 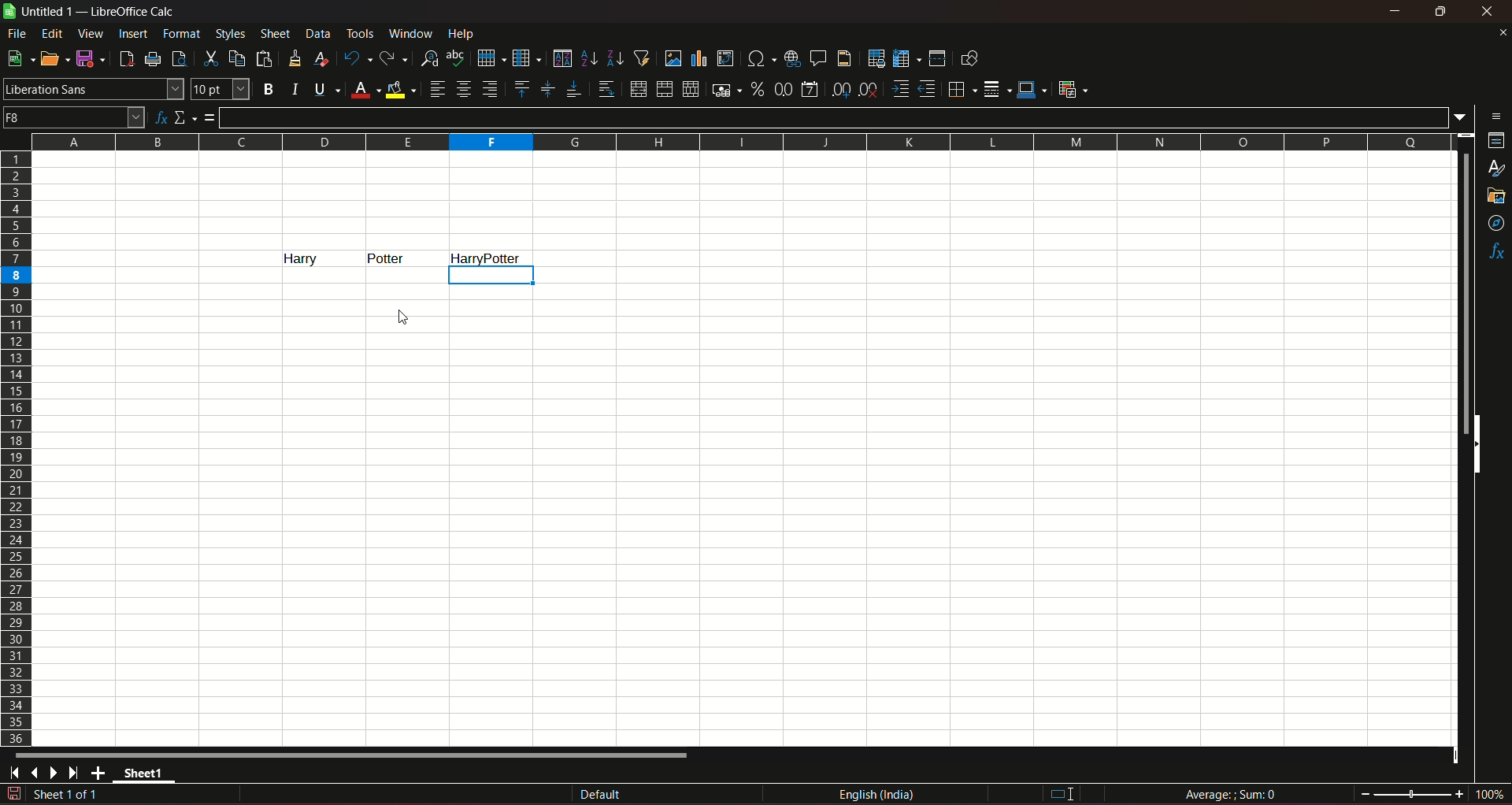 What do you see at coordinates (1487, 12) in the screenshot?
I see `close` at bounding box center [1487, 12].